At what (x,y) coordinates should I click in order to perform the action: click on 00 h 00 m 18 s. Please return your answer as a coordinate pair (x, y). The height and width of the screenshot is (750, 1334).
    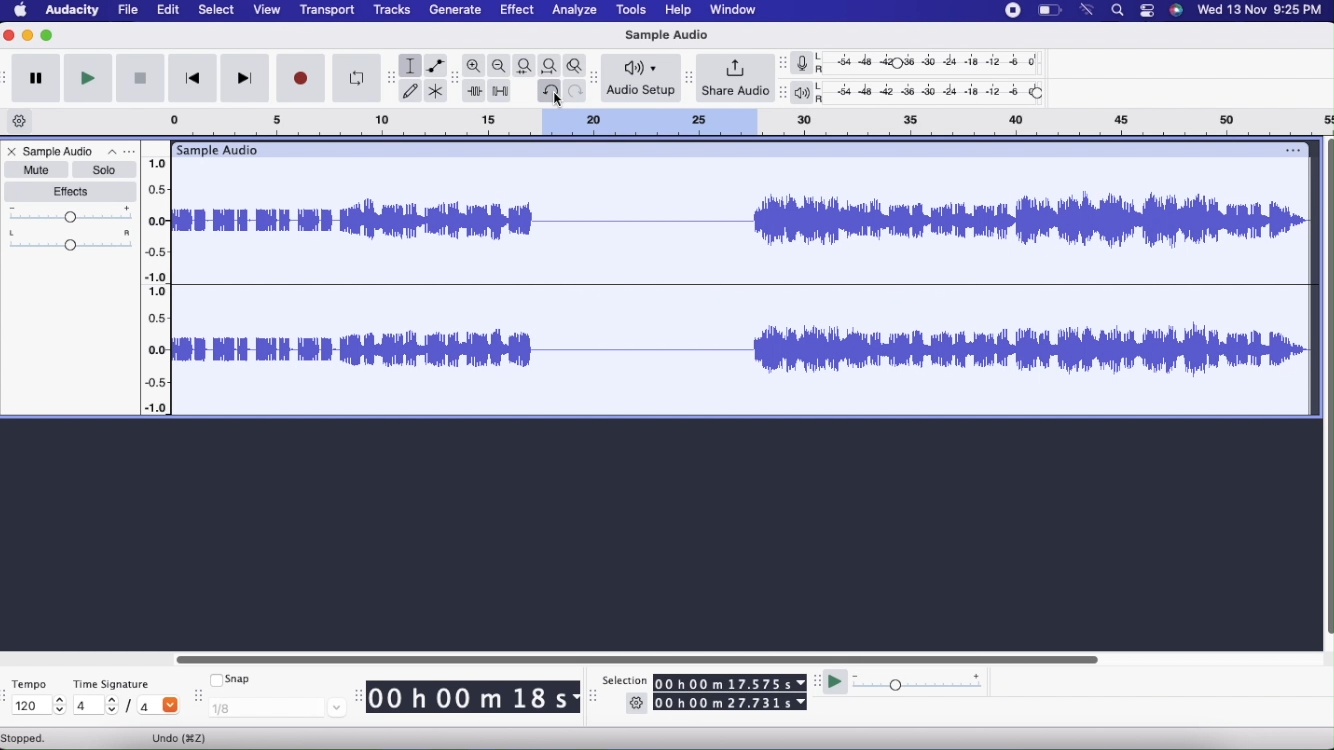
    Looking at the image, I should click on (473, 699).